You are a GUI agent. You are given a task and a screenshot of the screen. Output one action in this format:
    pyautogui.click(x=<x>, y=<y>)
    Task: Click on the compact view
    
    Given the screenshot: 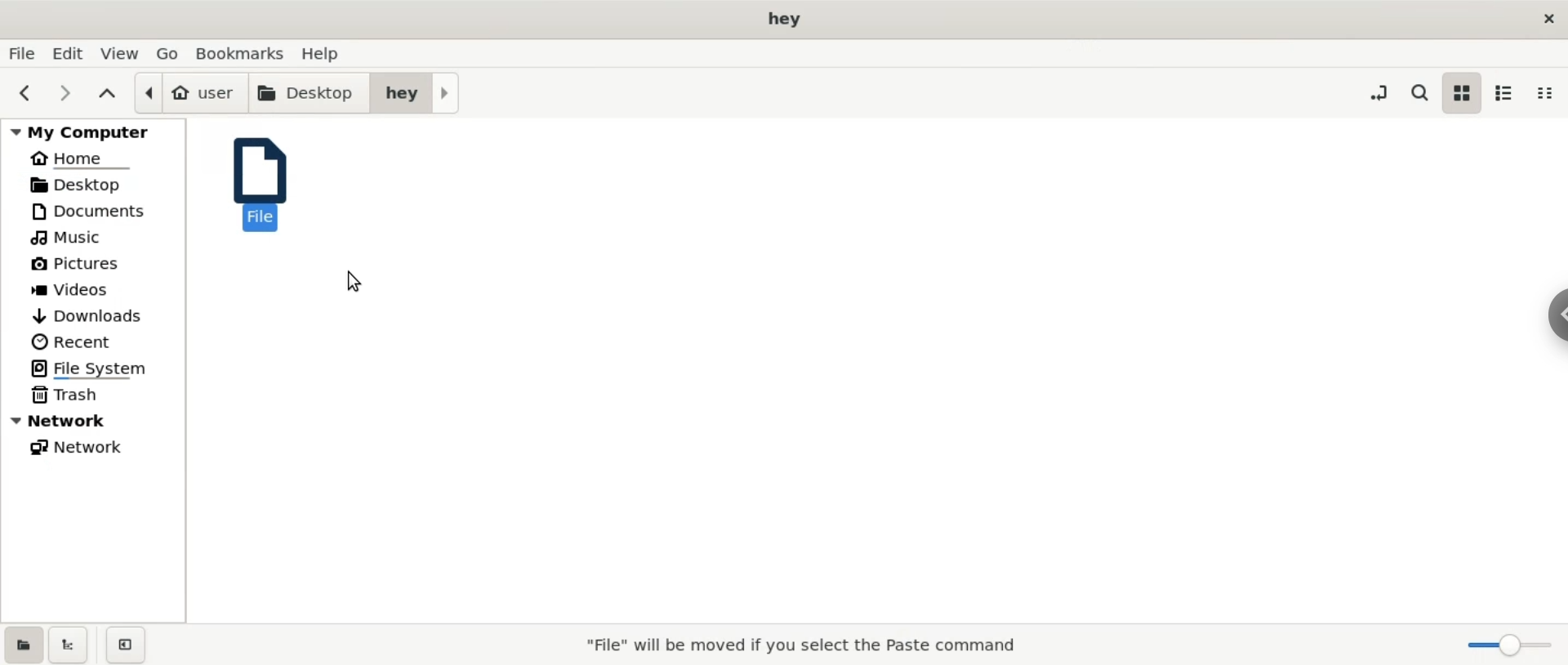 What is the action you would take?
    pyautogui.click(x=1551, y=94)
    